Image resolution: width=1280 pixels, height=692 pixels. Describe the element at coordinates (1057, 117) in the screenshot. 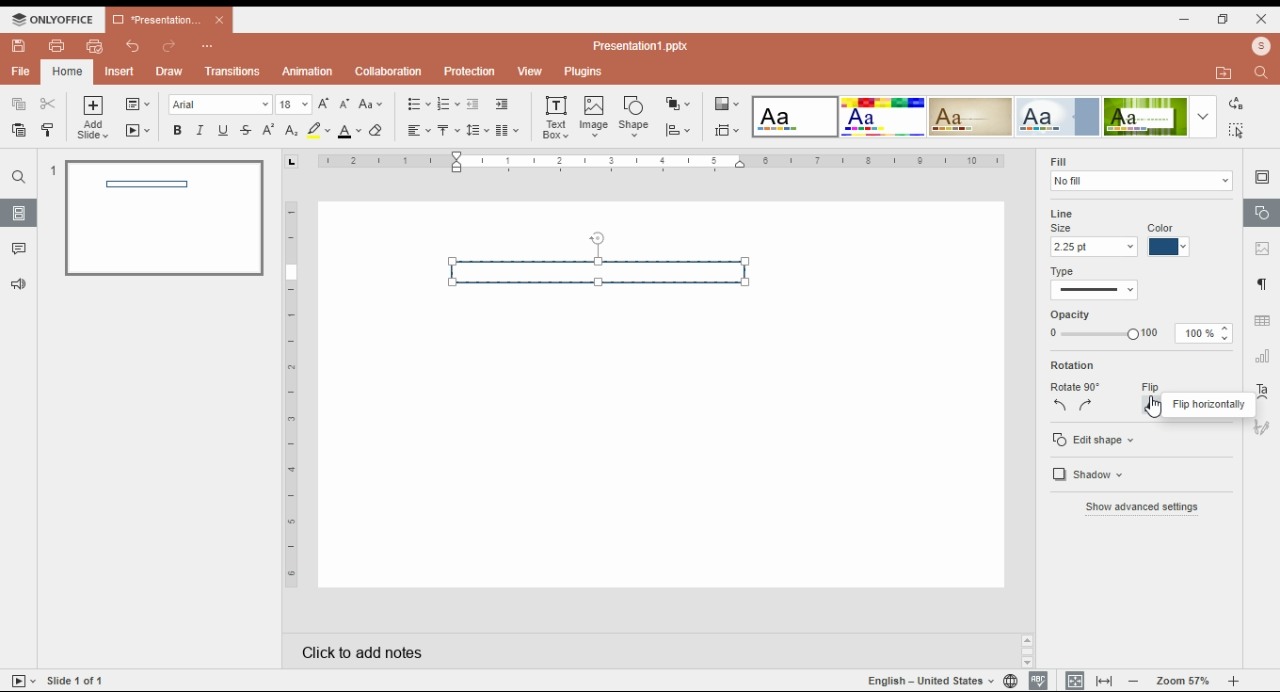

I see `color theme` at that location.